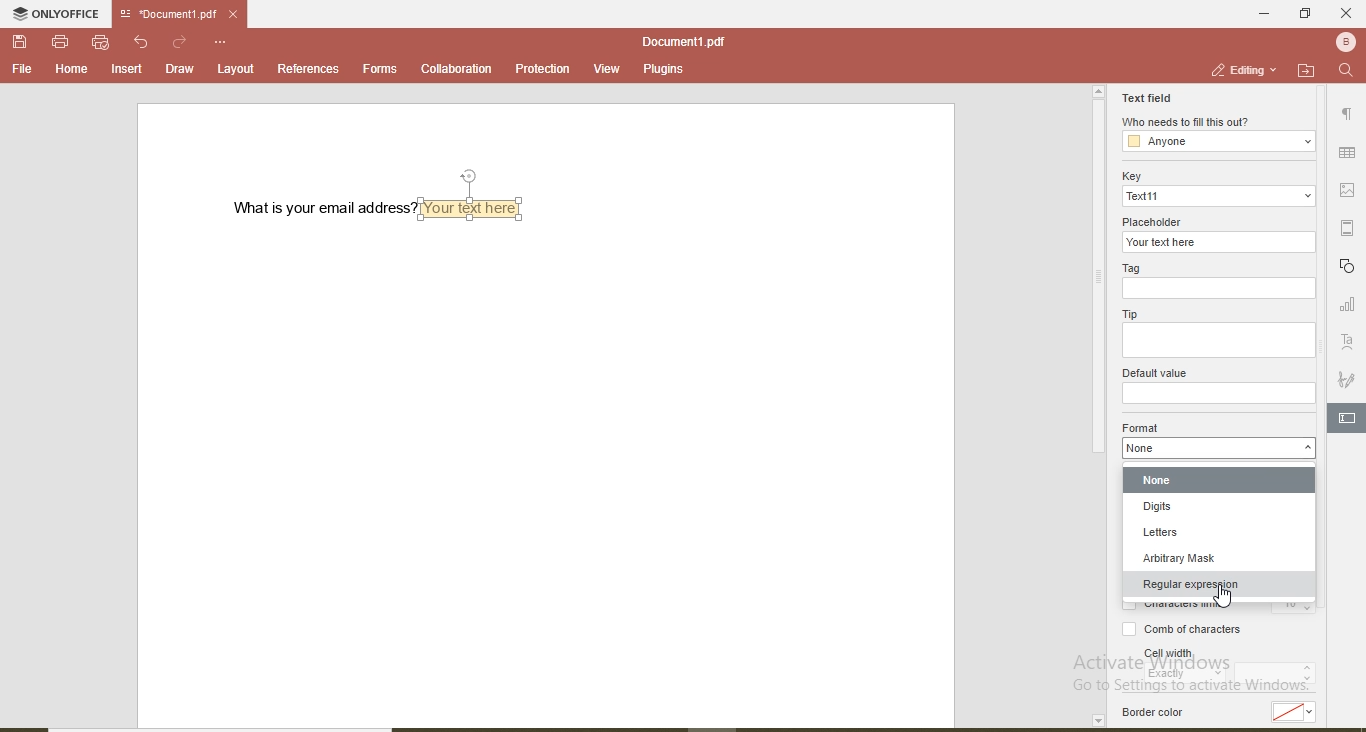 The image size is (1366, 732). What do you see at coordinates (181, 41) in the screenshot?
I see `redo` at bounding box center [181, 41].